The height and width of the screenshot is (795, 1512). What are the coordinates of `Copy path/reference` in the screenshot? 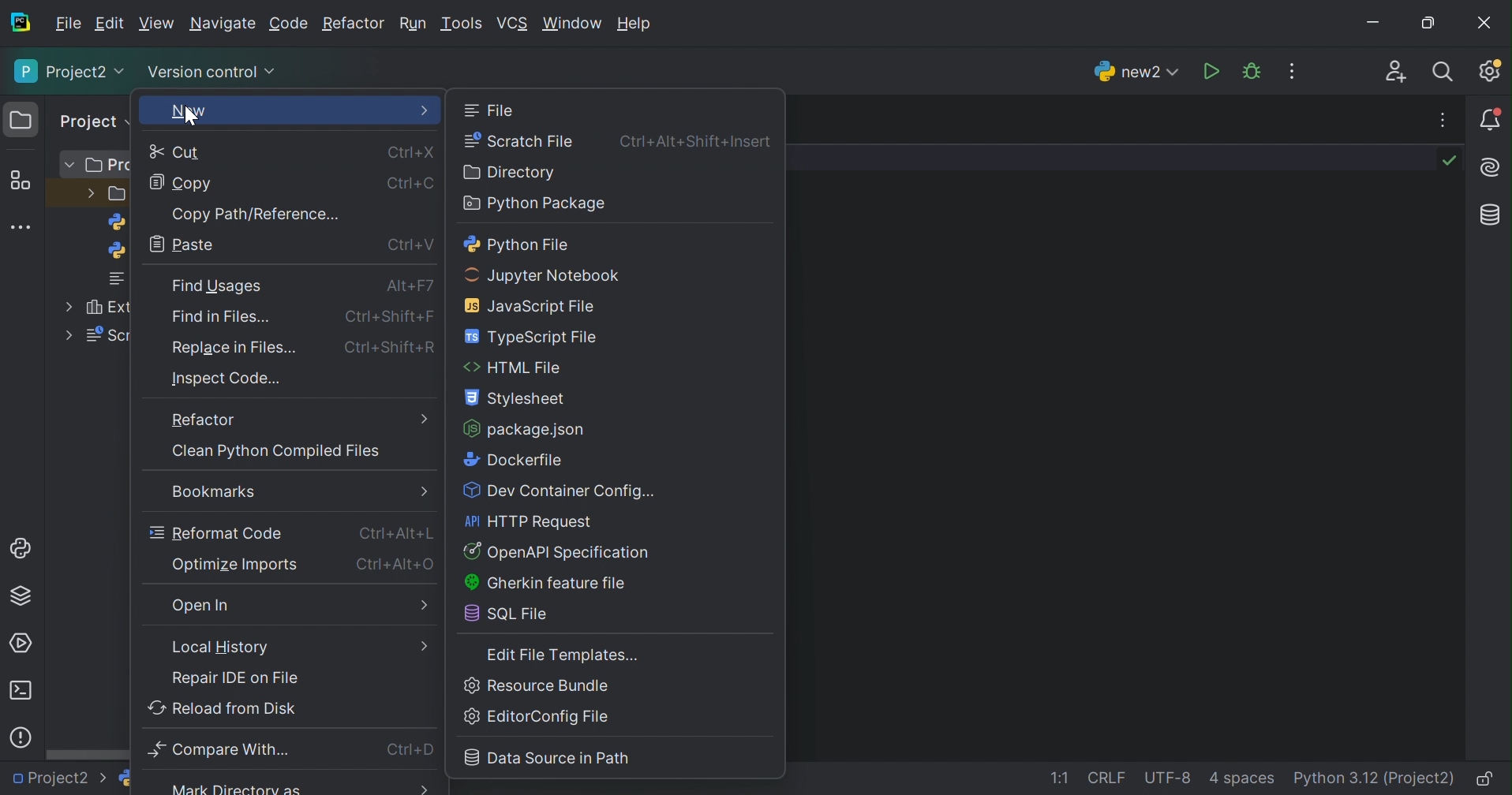 It's located at (253, 213).